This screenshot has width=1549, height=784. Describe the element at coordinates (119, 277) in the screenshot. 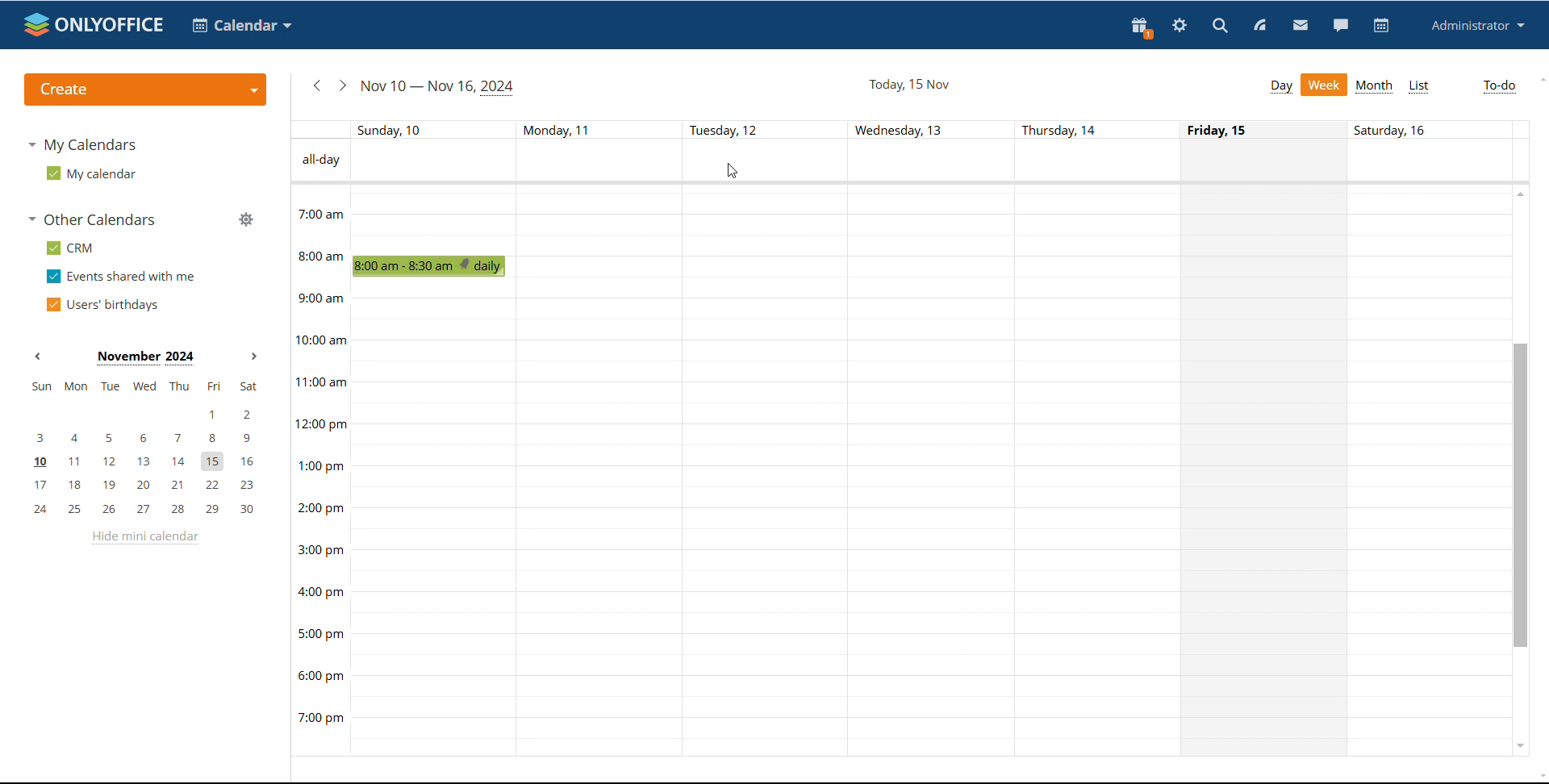

I see `events shared with me` at that location.